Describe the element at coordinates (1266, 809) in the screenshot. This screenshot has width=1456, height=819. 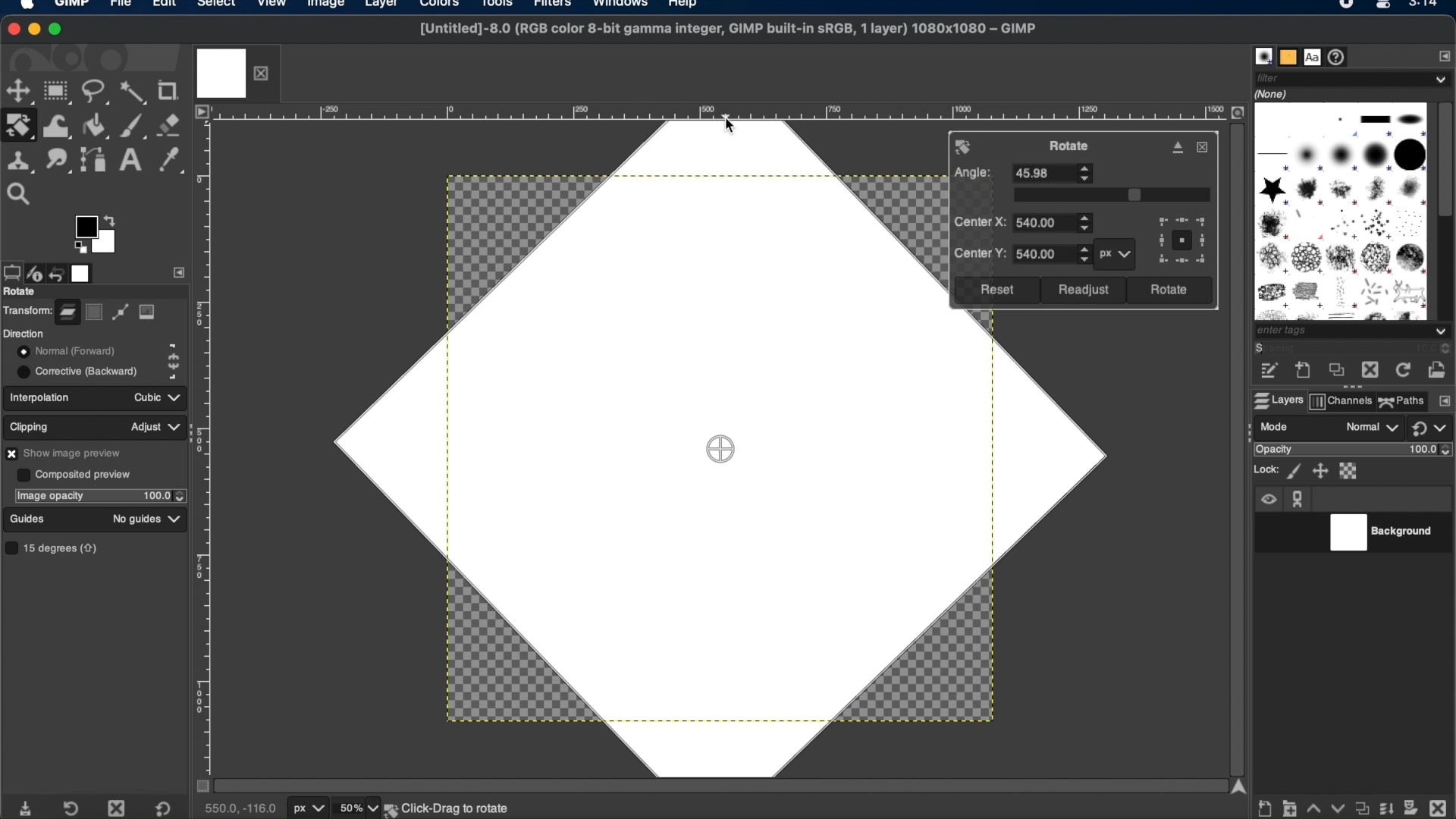
I see `create new layer` at that location.